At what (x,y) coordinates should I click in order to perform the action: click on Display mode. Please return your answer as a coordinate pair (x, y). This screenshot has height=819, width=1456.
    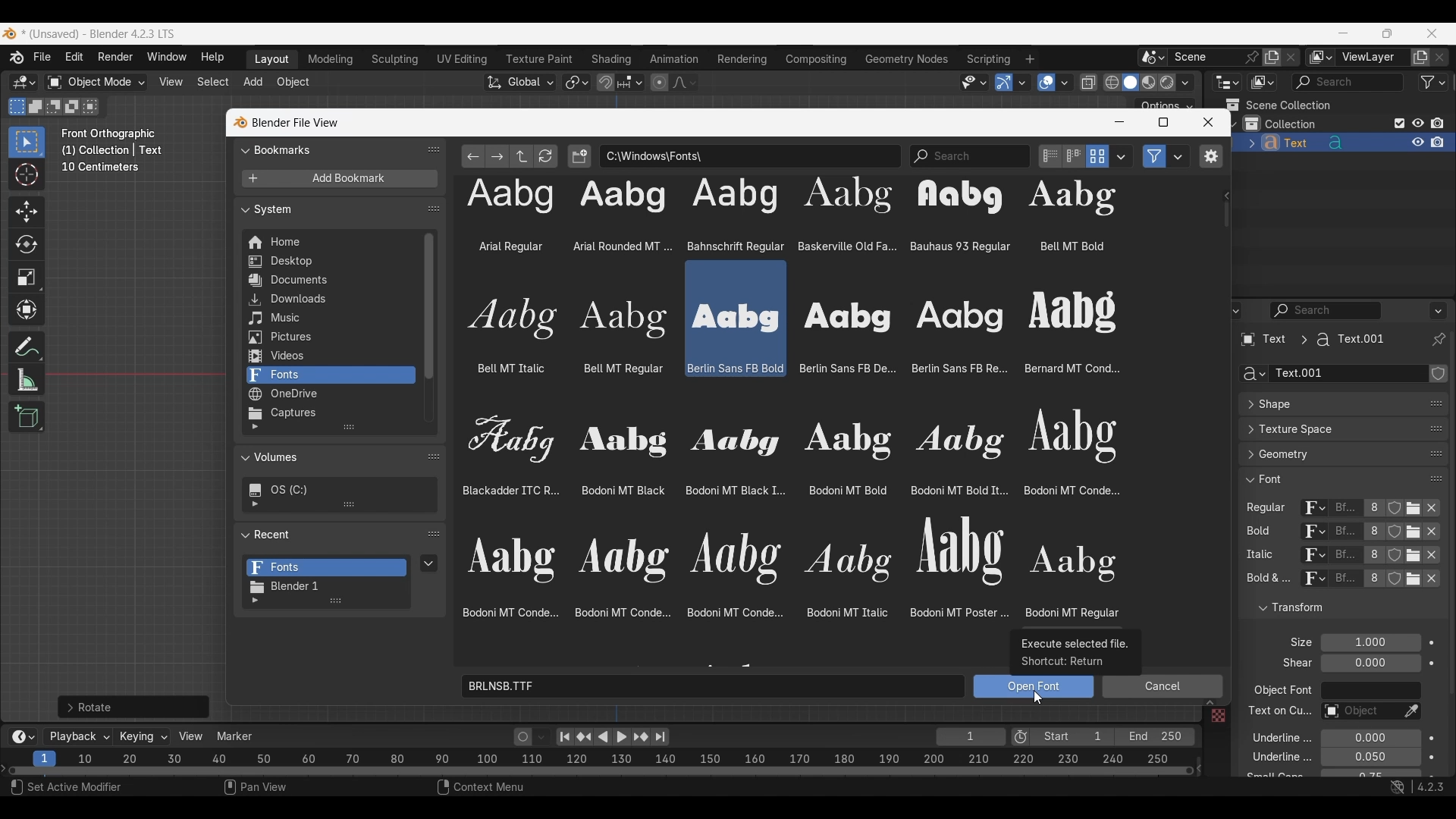
    Looking at the image, I should click on (1097, 156).